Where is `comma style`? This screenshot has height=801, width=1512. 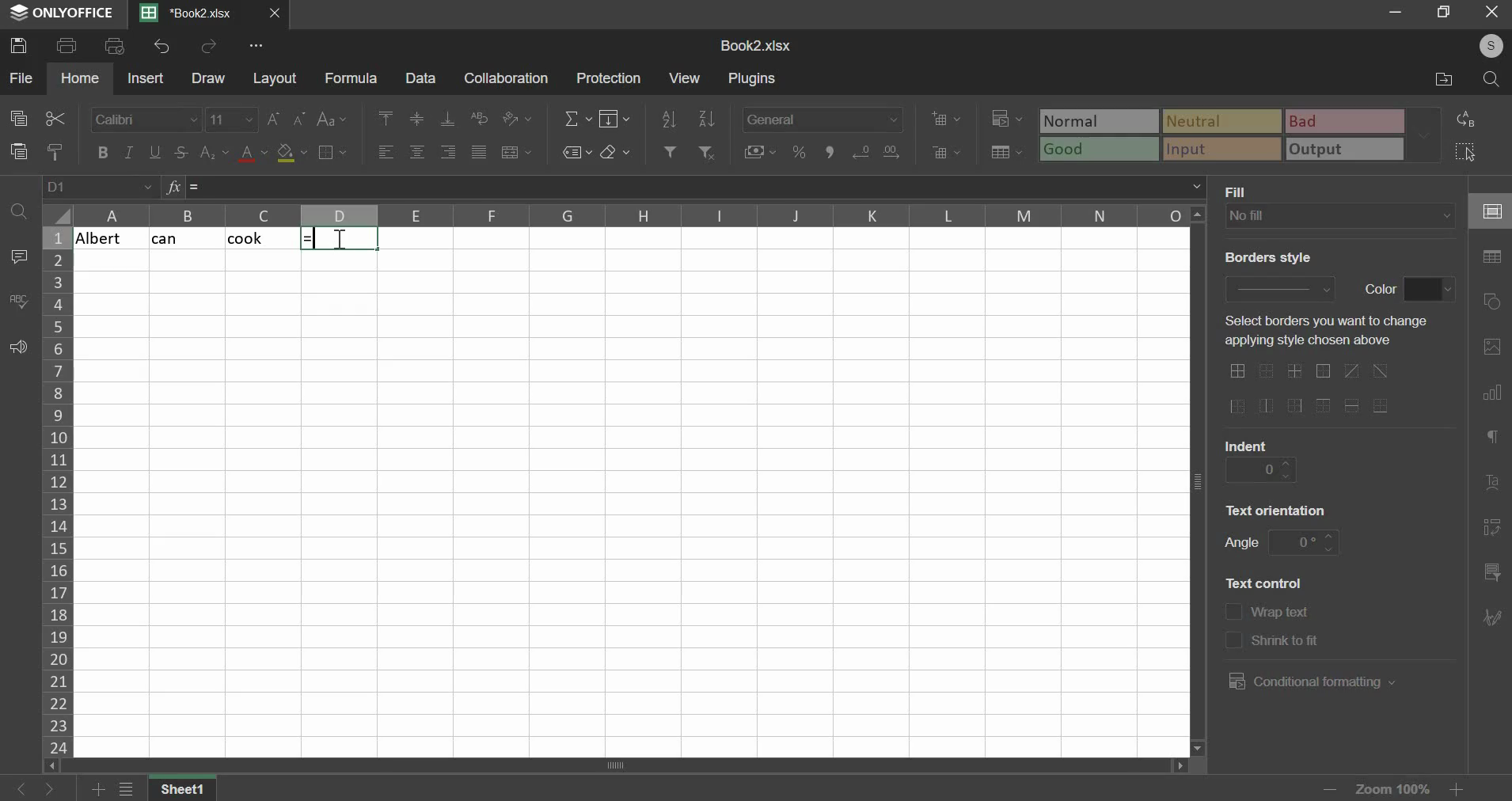 comma style is located at coordinates (833, 152).